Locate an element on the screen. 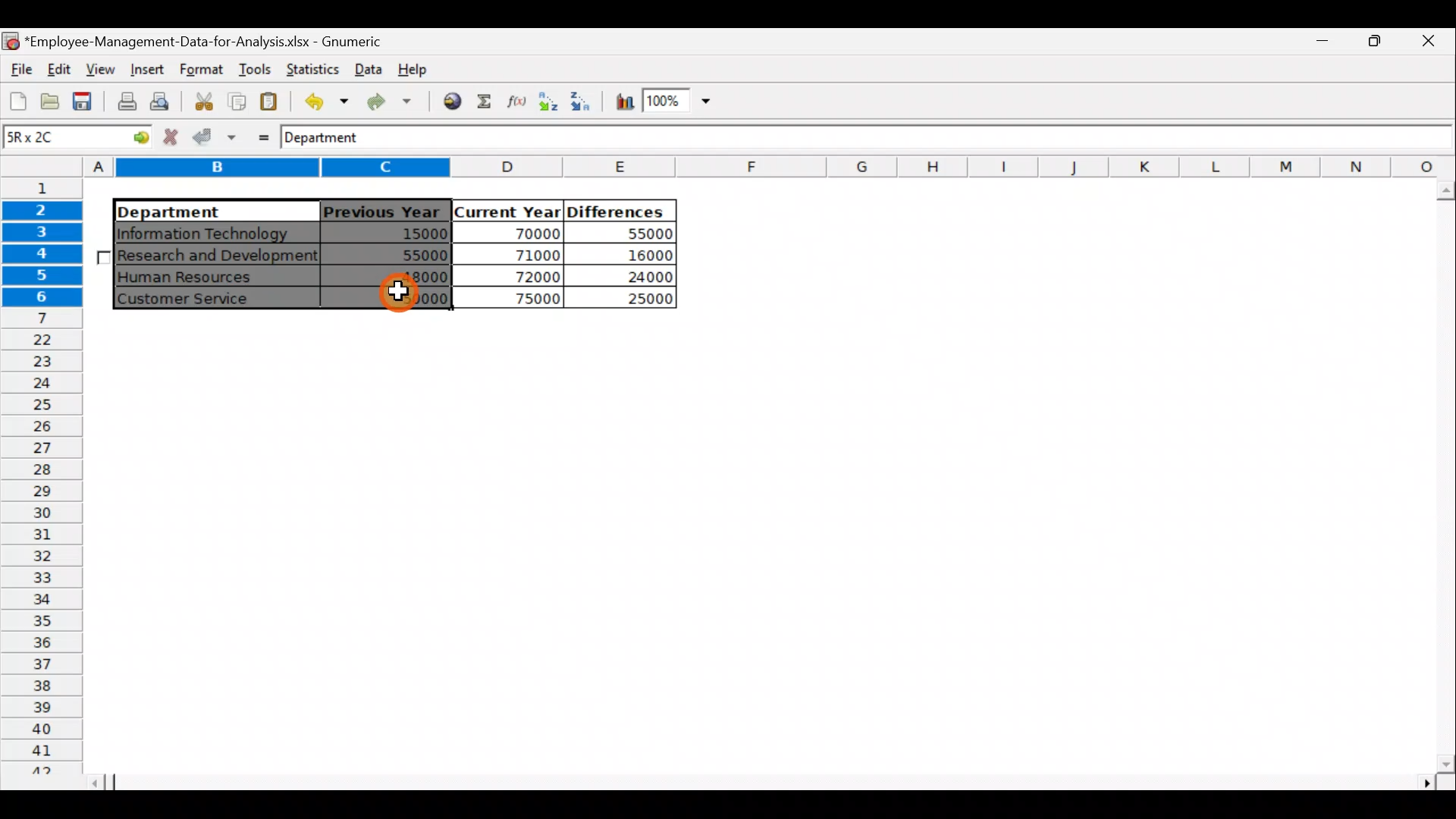  Accept change is located at coordinates (215, 137).